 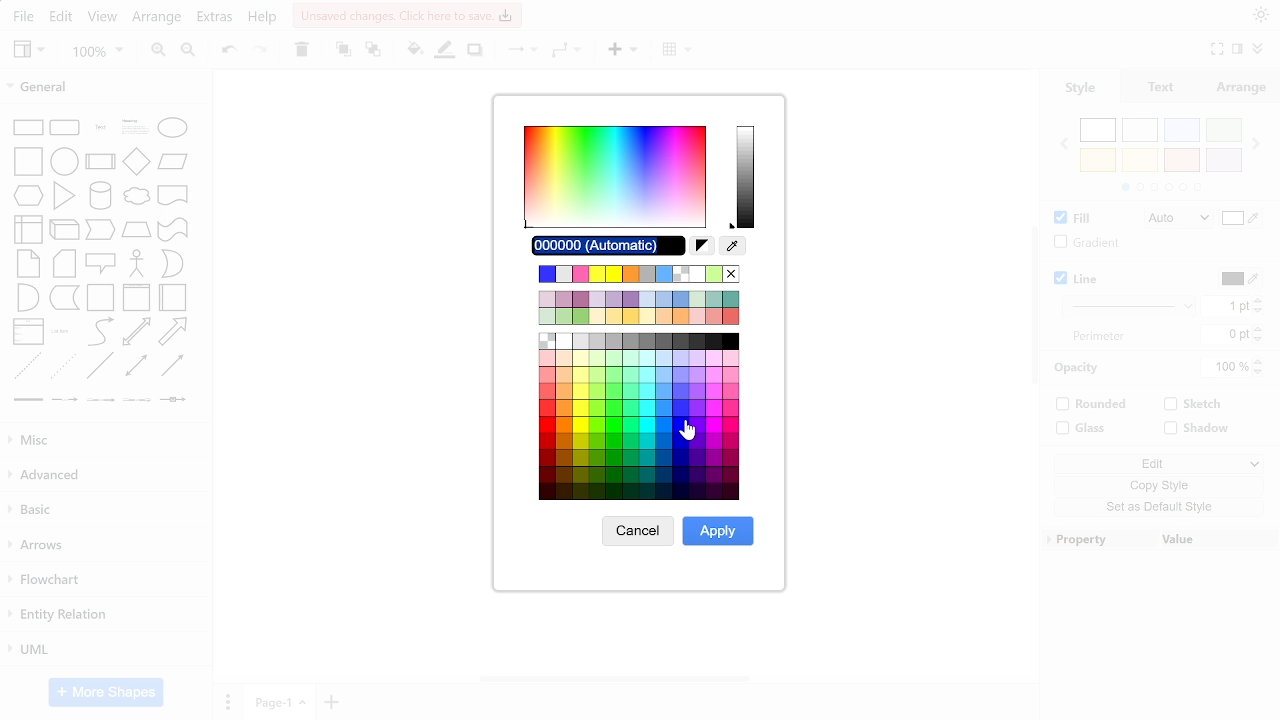 I want to click on increase opacity, so click(x=1261, y=362).